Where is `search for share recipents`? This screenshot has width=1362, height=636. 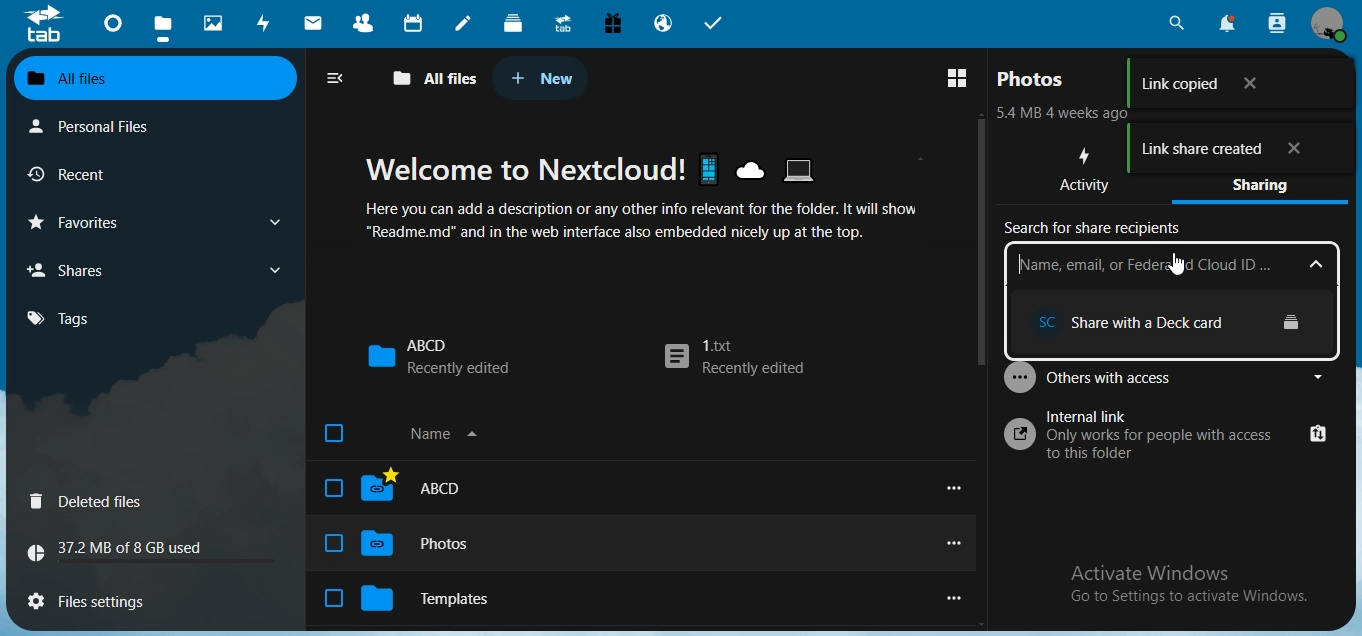 search for share recipents is located at coordinates (1097, 230).